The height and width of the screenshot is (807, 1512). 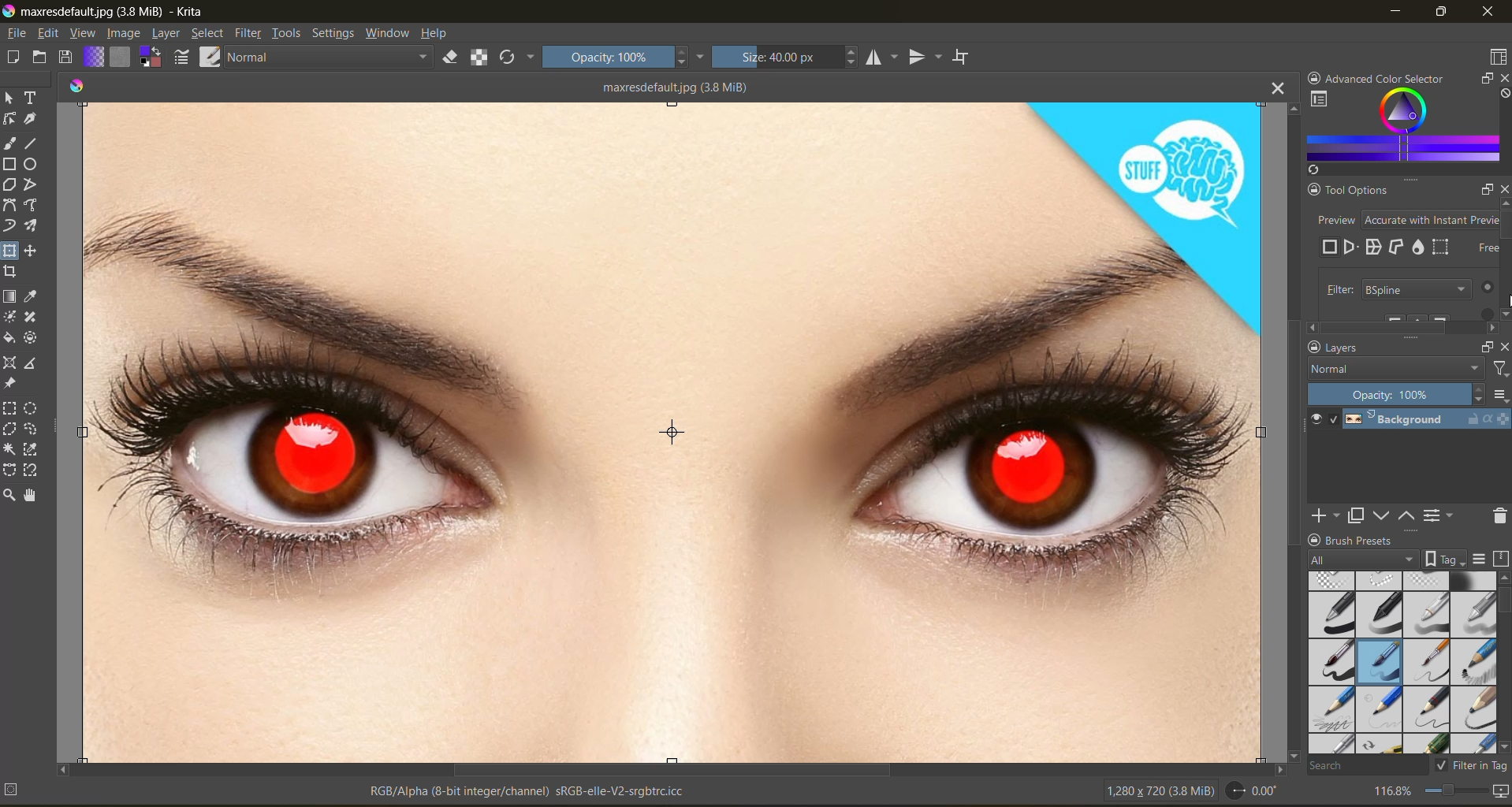 What do you see at coordinates (1397, 393) in the screenshot?
I see `opacity` at bounding box center [1397, 393].